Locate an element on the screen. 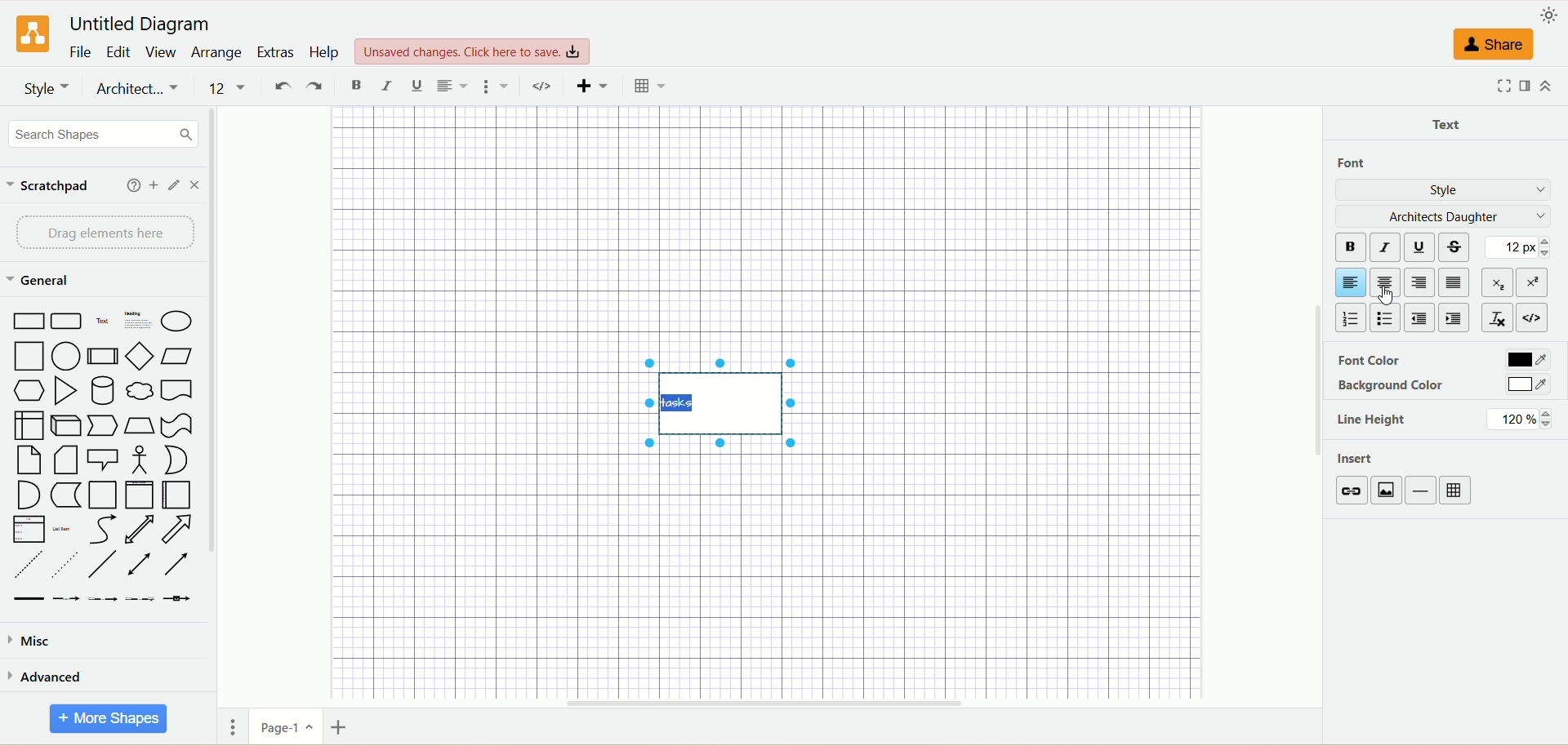  vertical scroll bar is located at coordinates (218, 405).